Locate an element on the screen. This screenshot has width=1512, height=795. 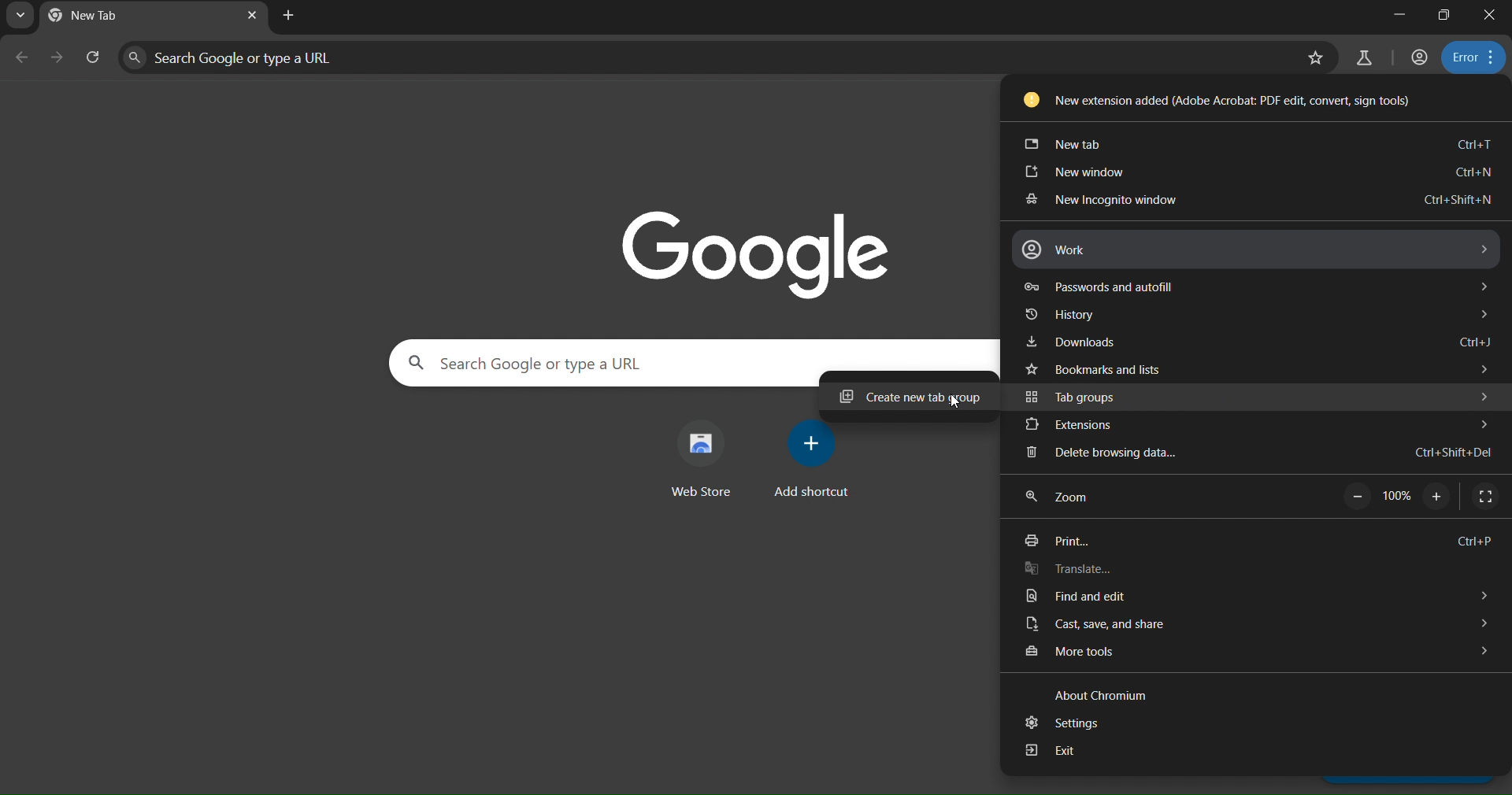
go back one page is located at coordinates (22, 58).